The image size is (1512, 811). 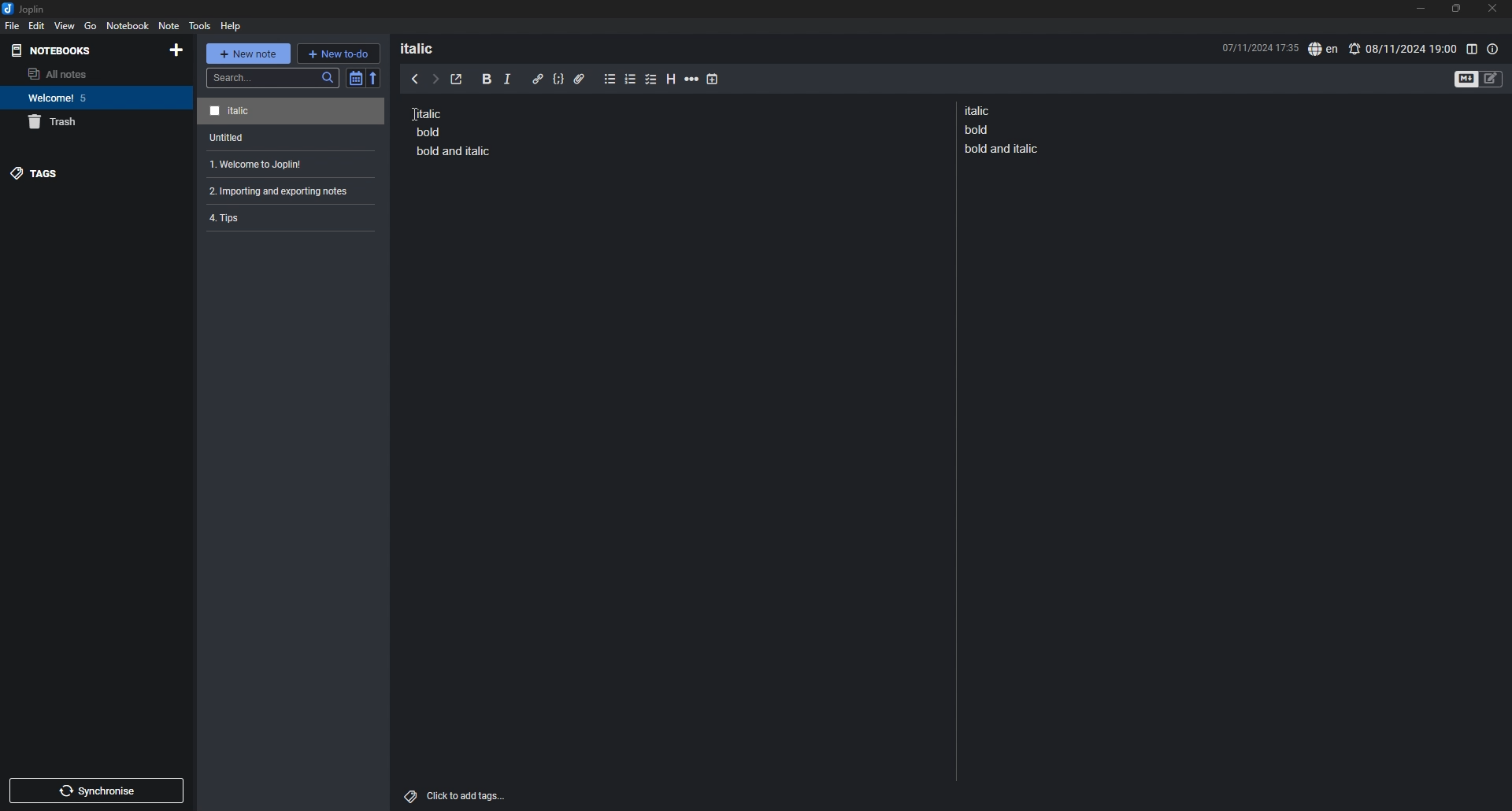 What do you see at coordinates (338, 53) in the screenshot?
I see `new todo` at bounding box center [338, 53].